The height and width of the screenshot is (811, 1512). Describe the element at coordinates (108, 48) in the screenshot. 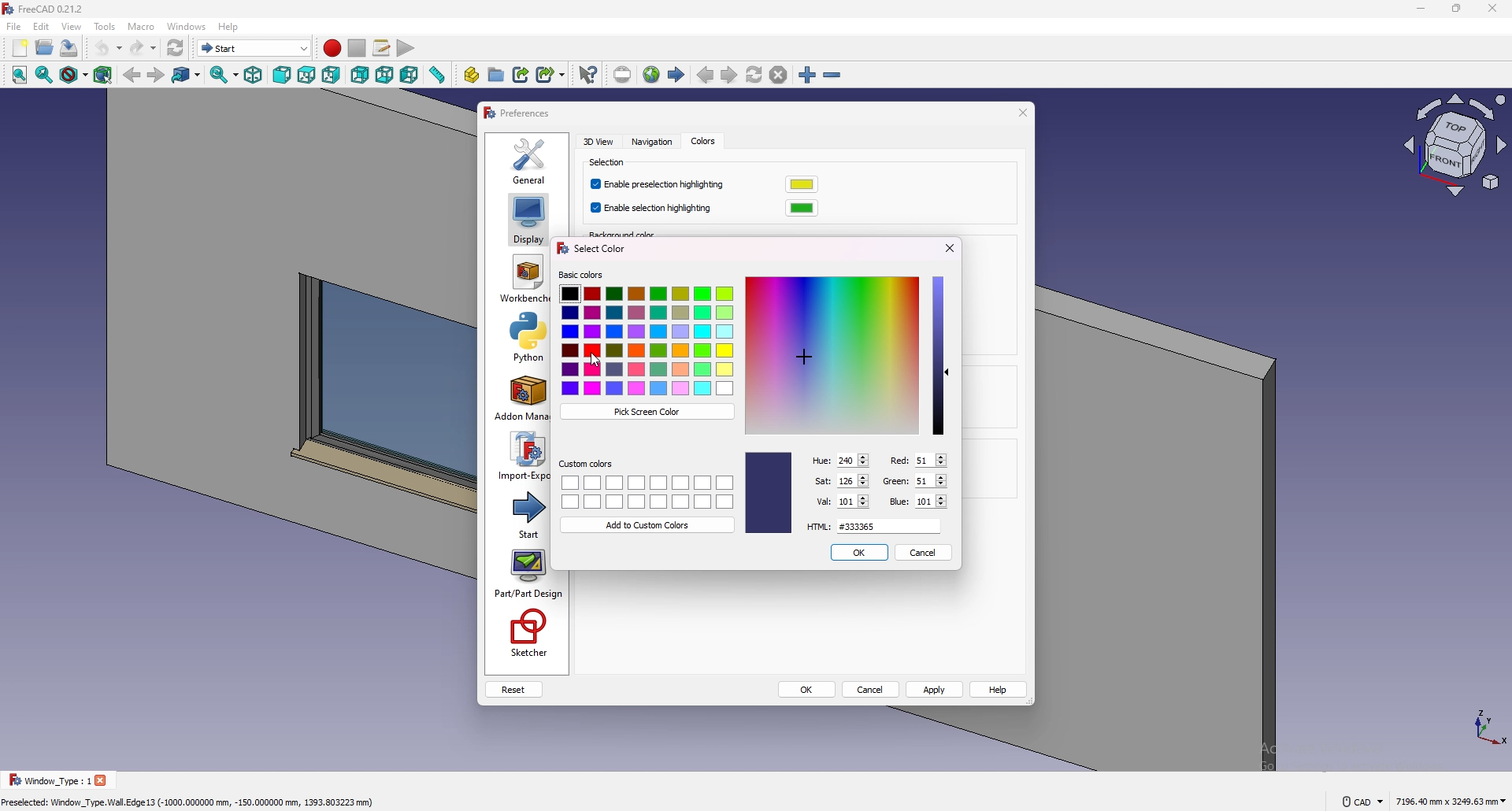

I see `undo` at that location.